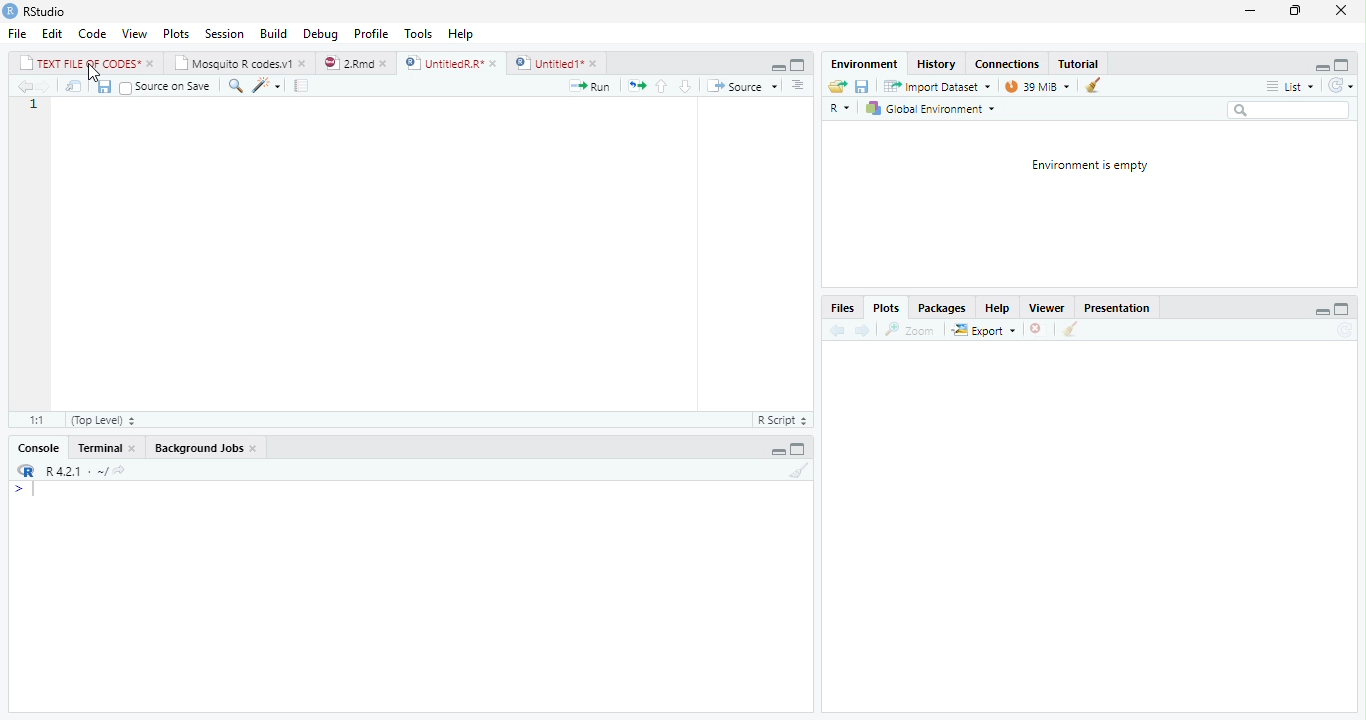 The image size is (1366, 720). Describe the element at coordinates (274, 34) in the screenshot. I see `Build` at that location.